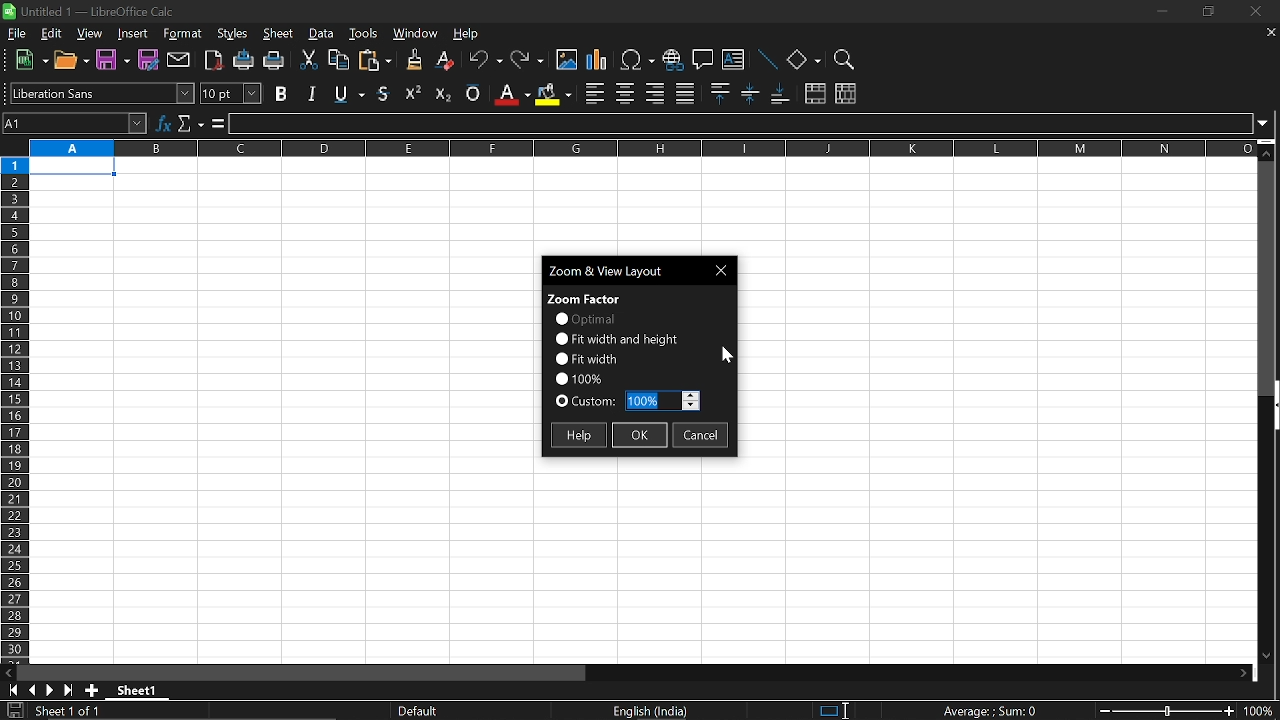  I want to click on restore down, so click(1206, 13).